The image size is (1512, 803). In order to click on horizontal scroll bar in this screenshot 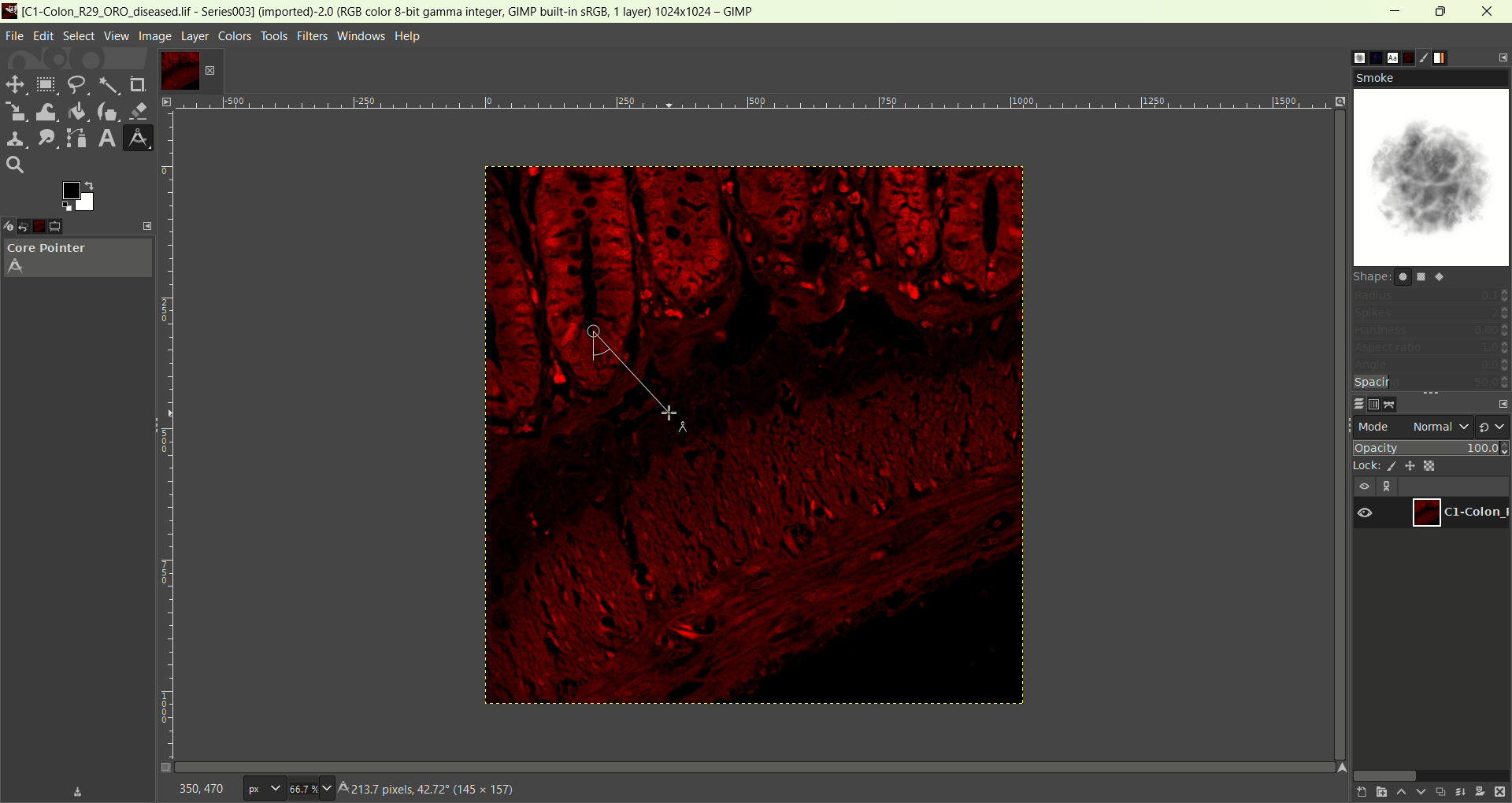, I will do `click(1429, 774)`.